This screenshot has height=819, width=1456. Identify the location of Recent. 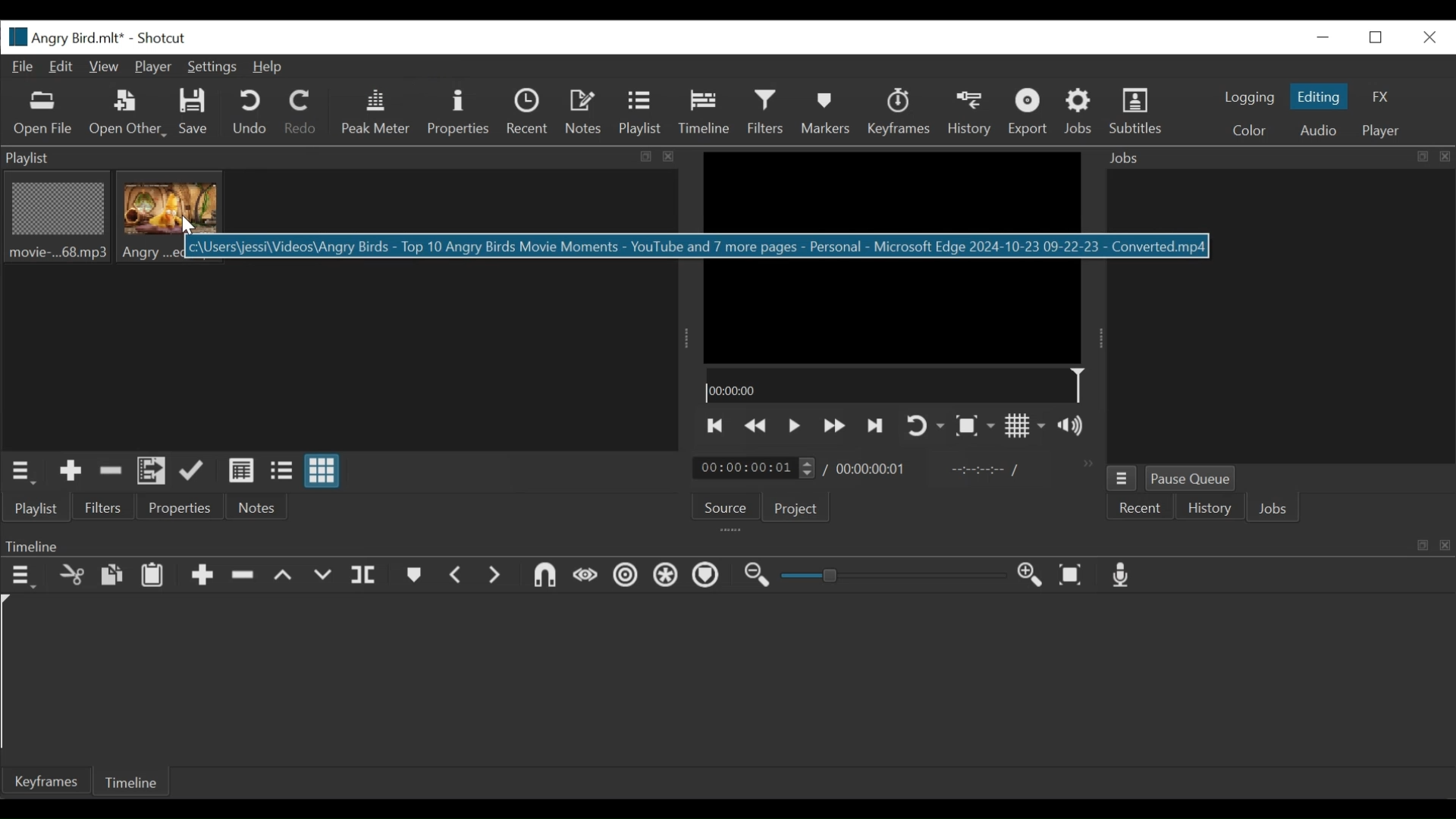
(529, 114).